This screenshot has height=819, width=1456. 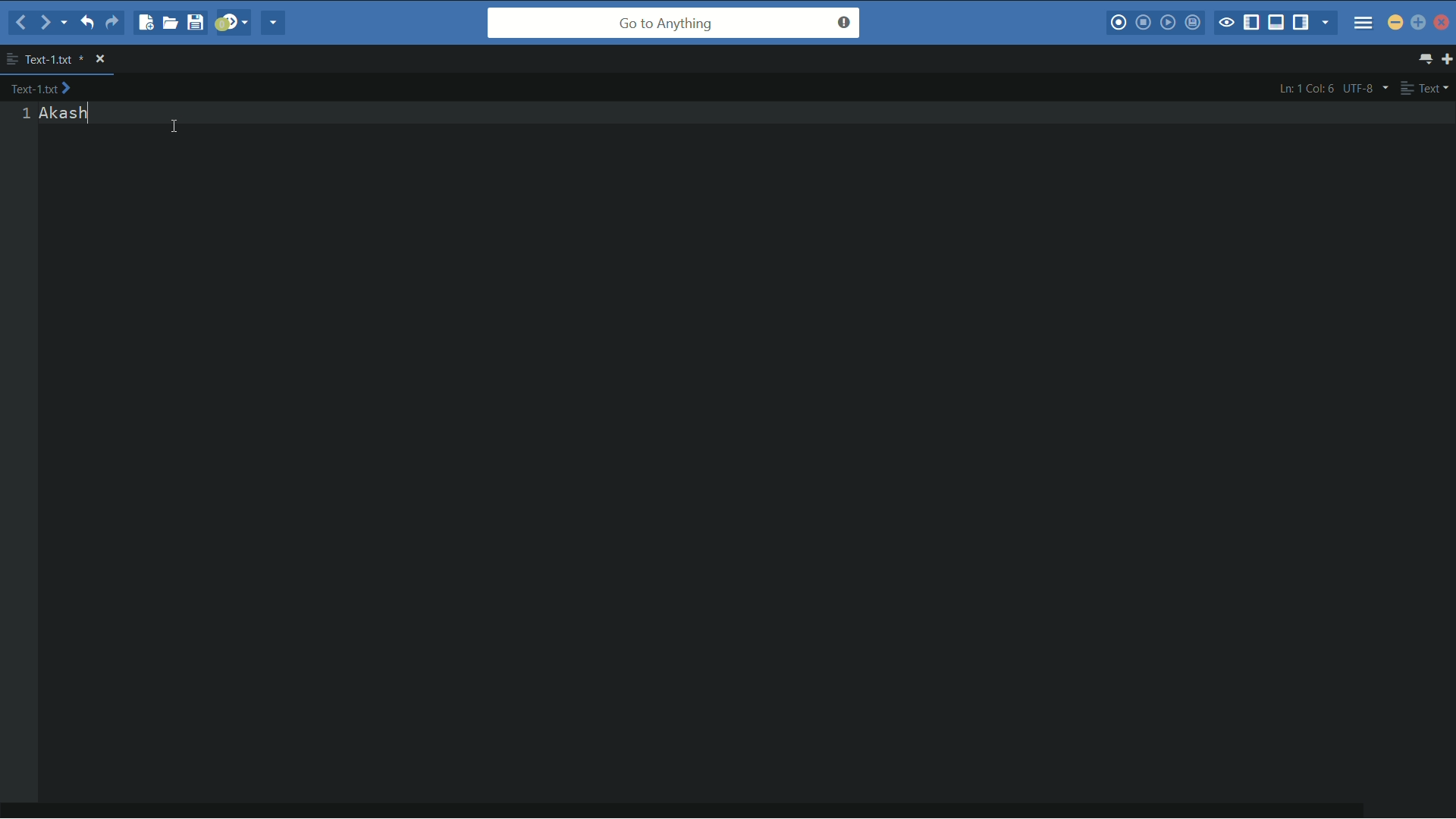 What do you see at coordinates (115, 22) in the screenshot?
I see `redo` at bounding box center [115, 22].